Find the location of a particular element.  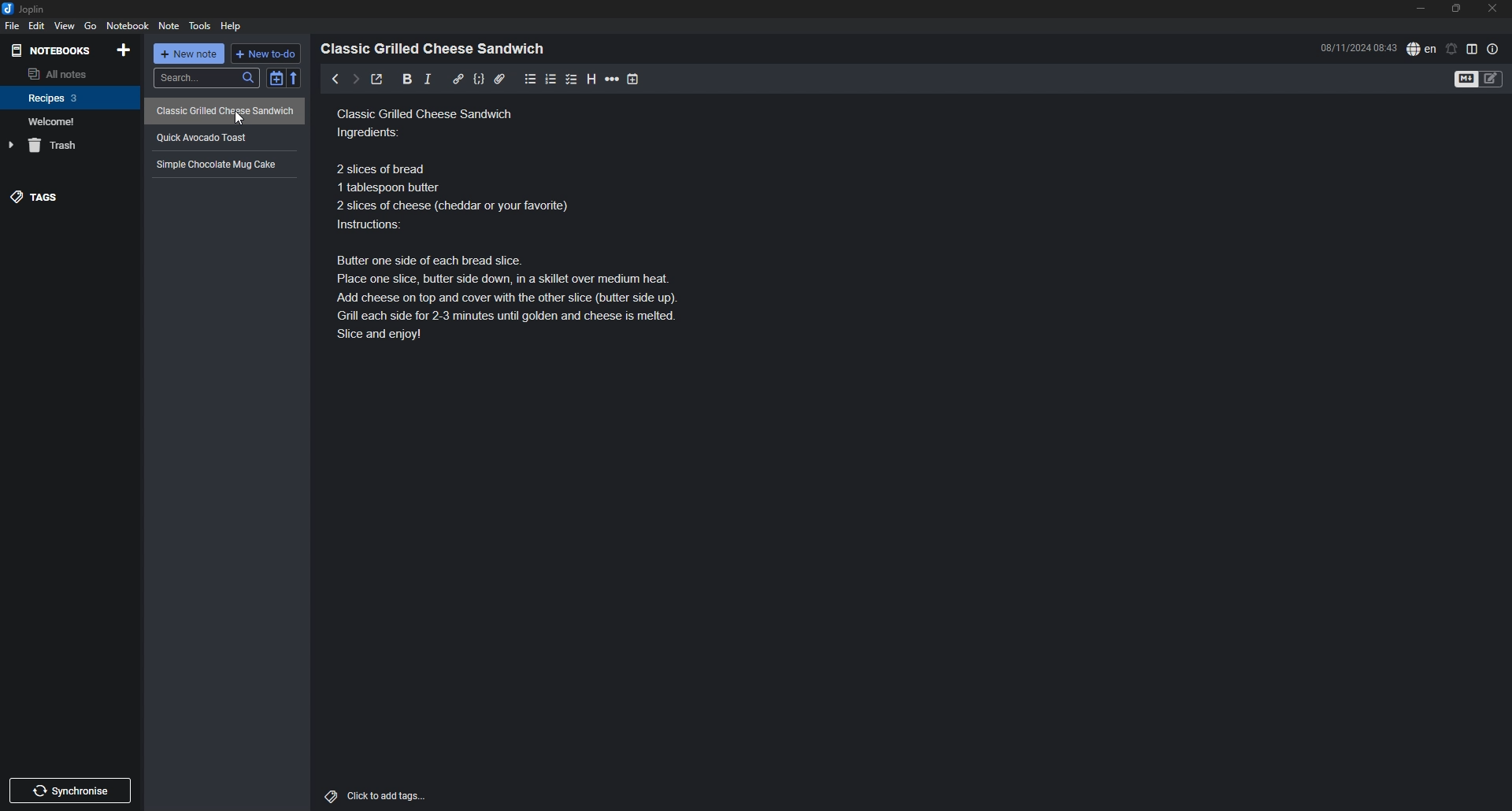

trash is located at coordinates (72, 146).